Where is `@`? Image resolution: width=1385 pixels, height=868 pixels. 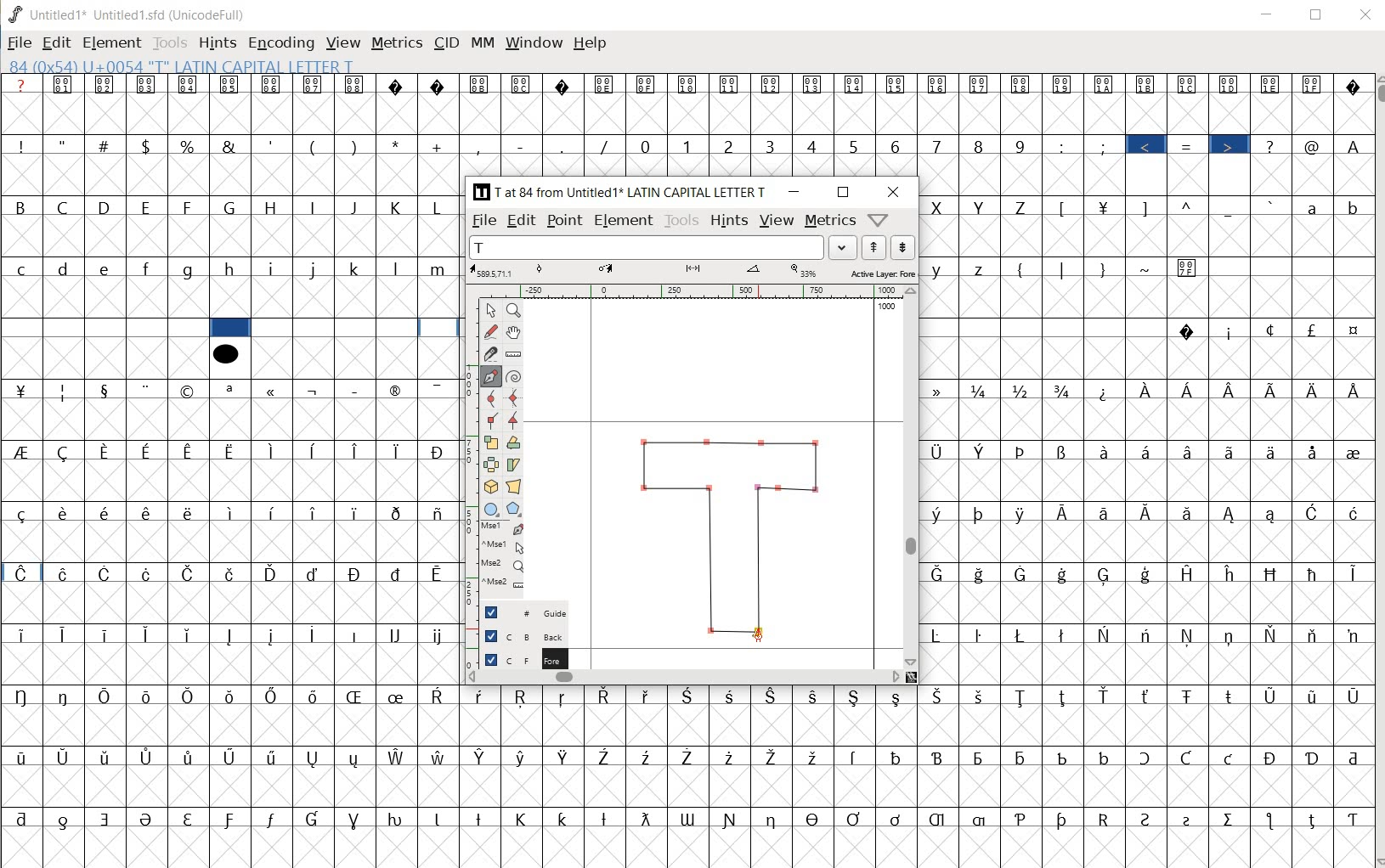
@ is located at coordinates (1314, 146).